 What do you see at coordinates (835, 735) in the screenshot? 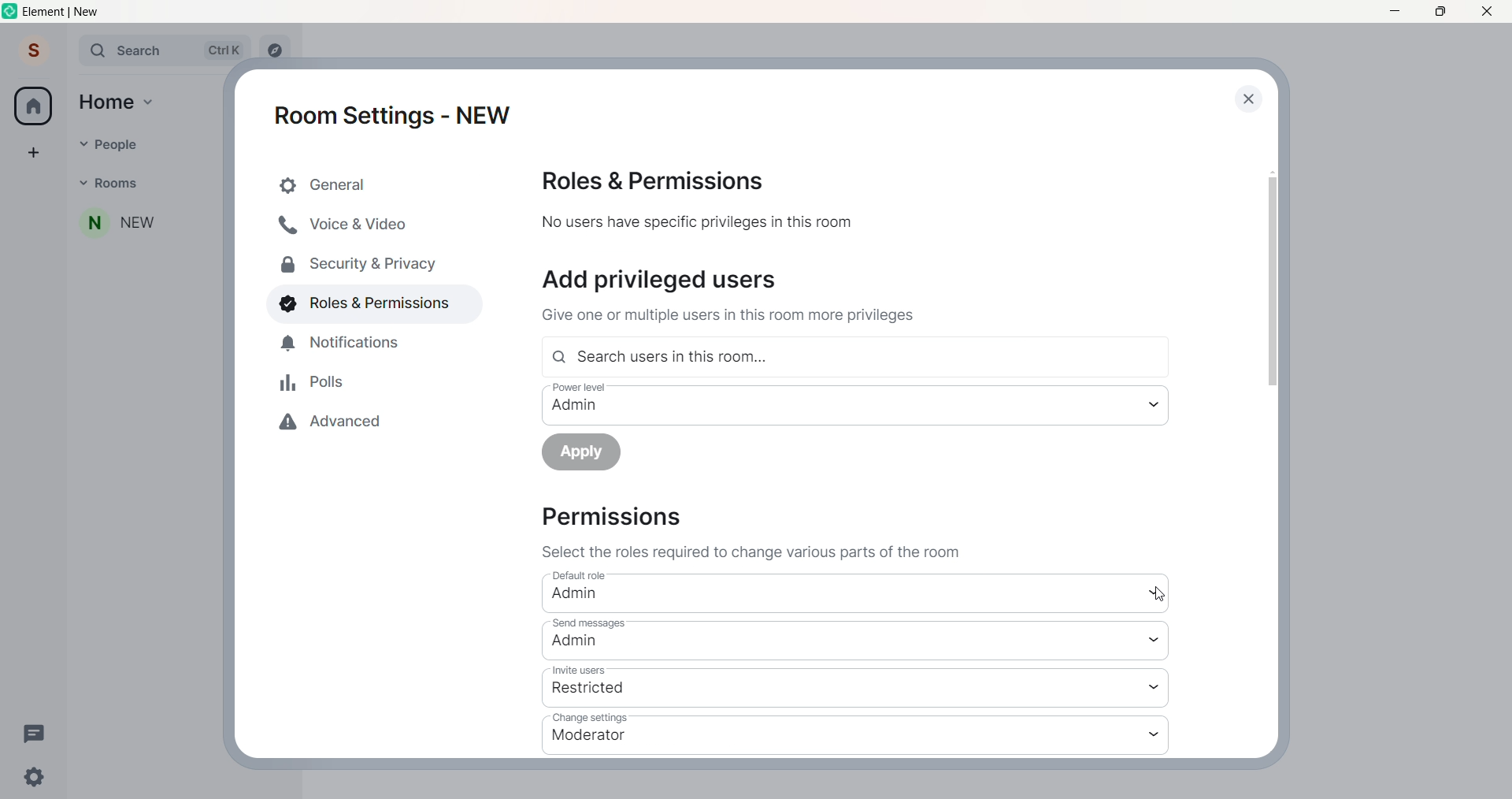
I see `change setting` at bounding box center [835, 735].